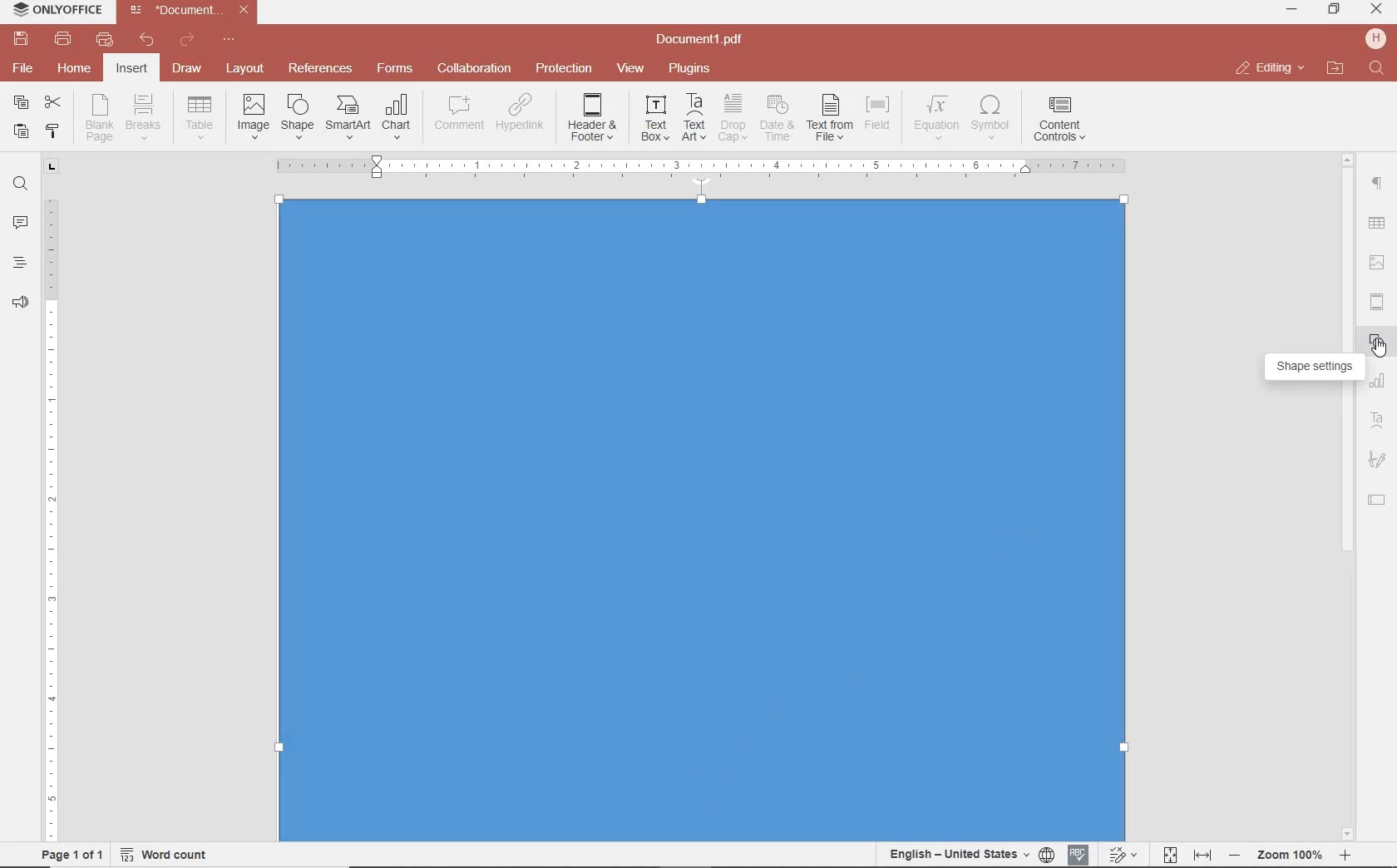  Describe the element at coordinates (474, 69) in the screenshot. I see `collaboration` at that location.